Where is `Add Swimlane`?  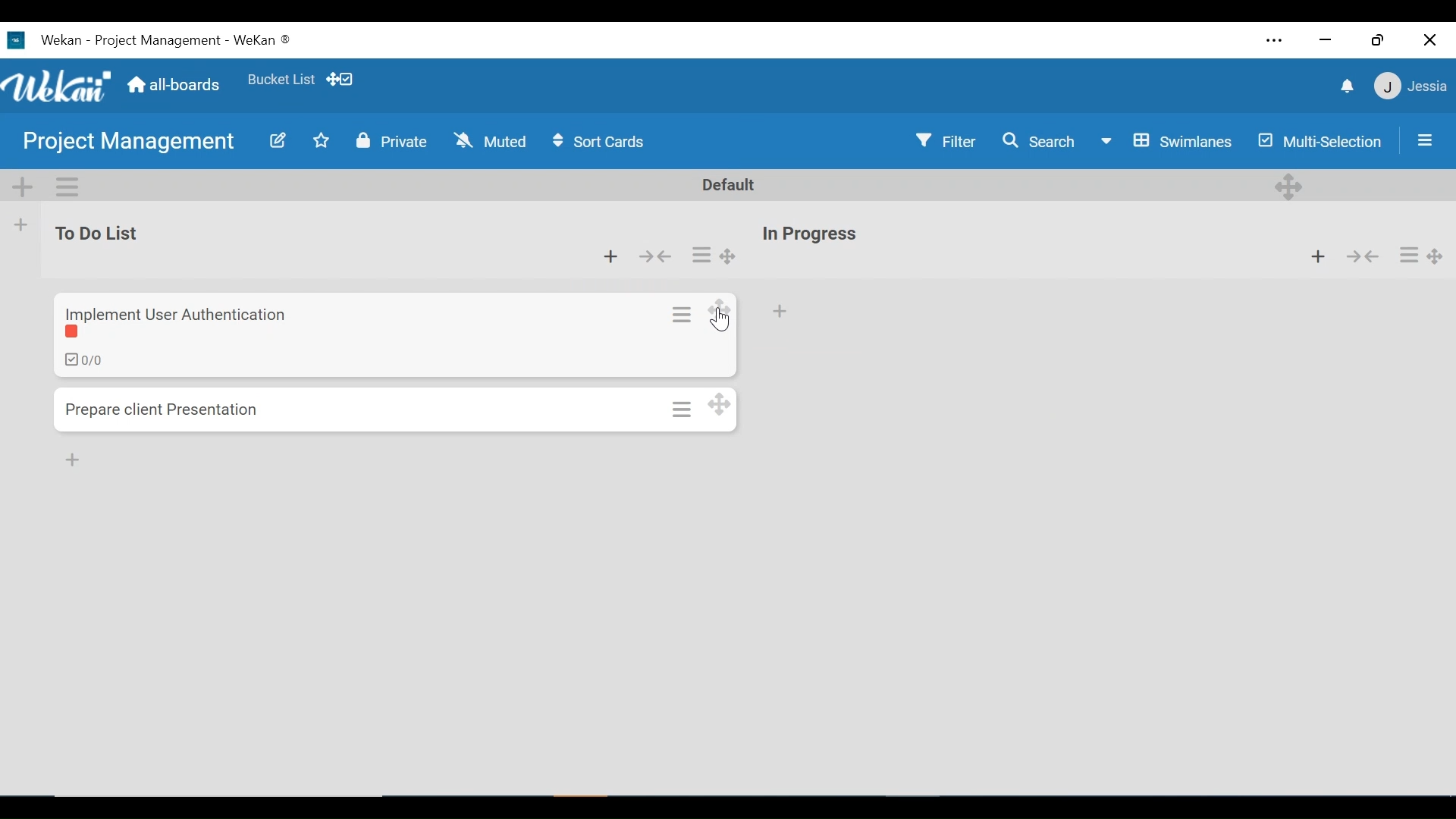
Add Swimlane is located at coordinates (24, 186).